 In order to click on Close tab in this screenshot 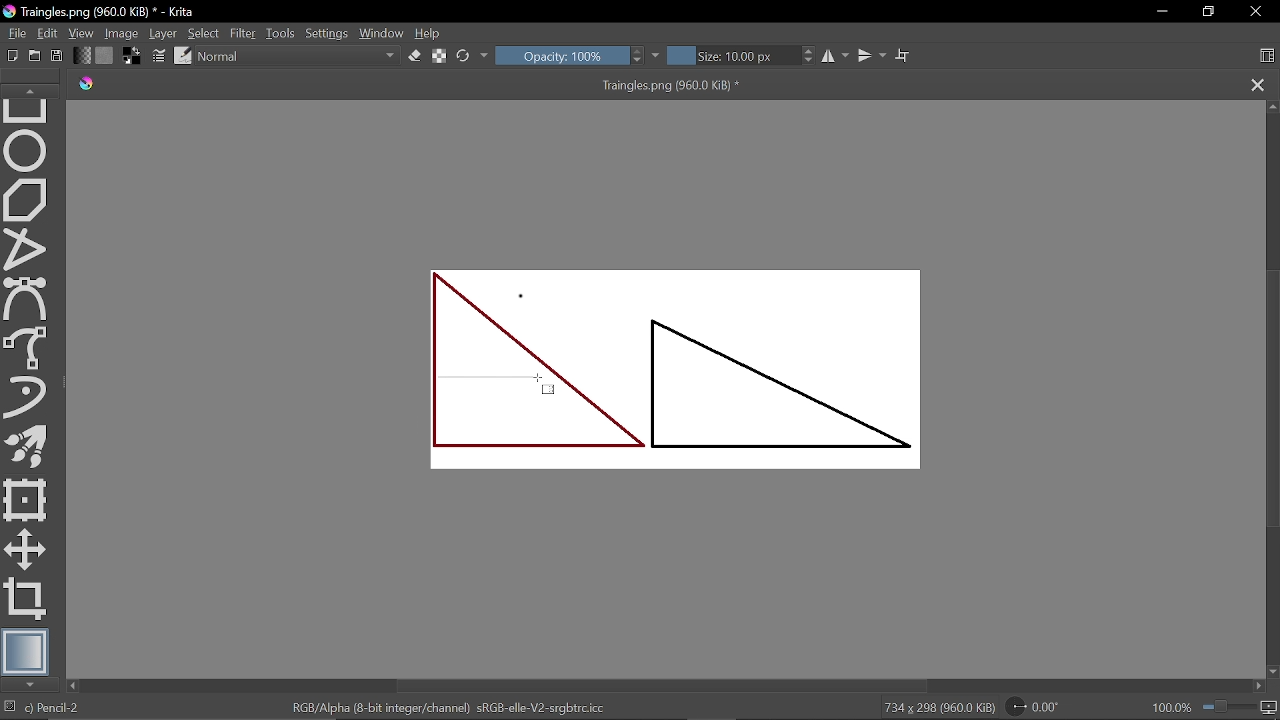, I will do `click(1258, 83)`.